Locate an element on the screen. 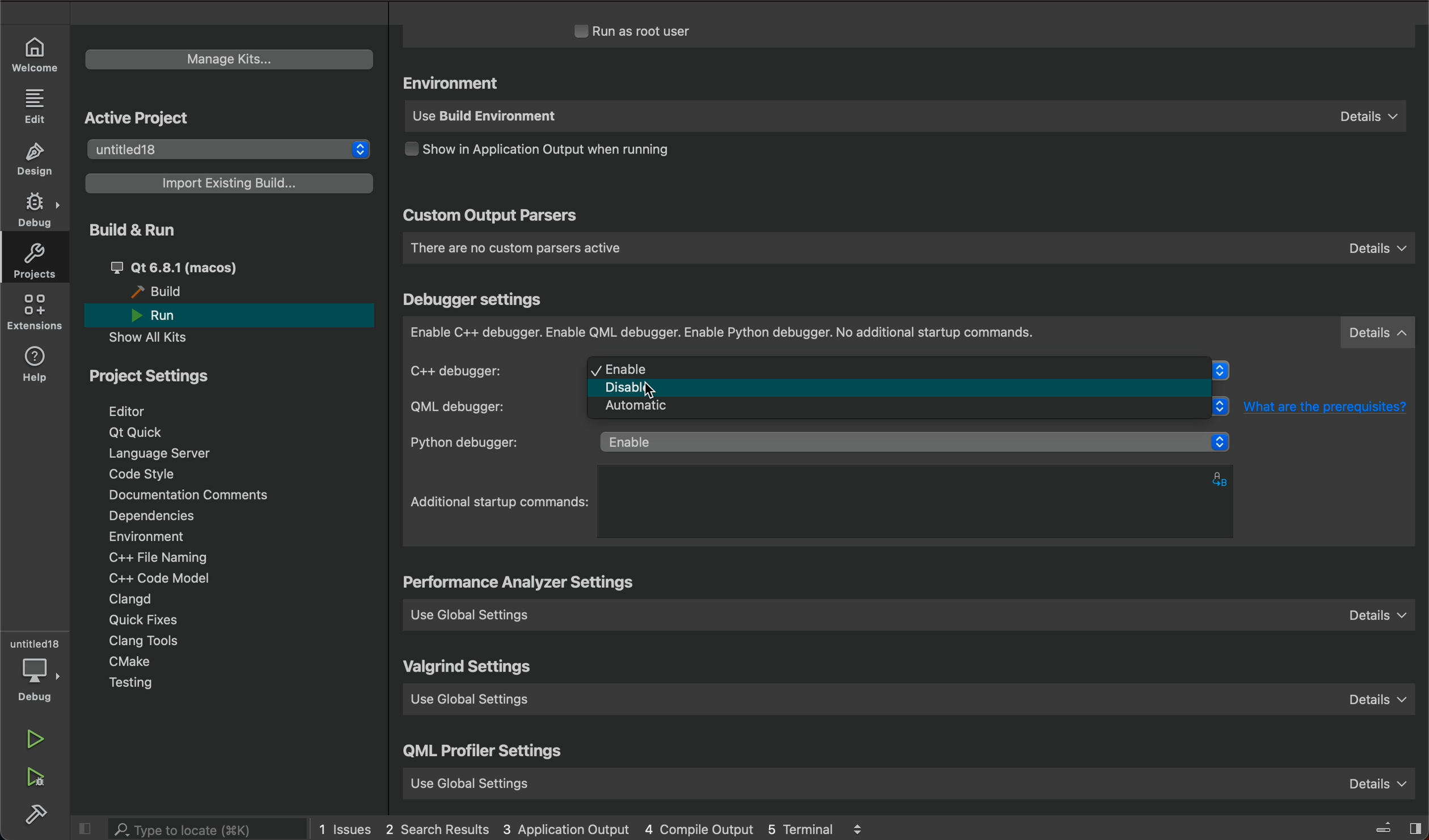 The image size is (1429, 840). clangd is located at coordinates (132, 600).